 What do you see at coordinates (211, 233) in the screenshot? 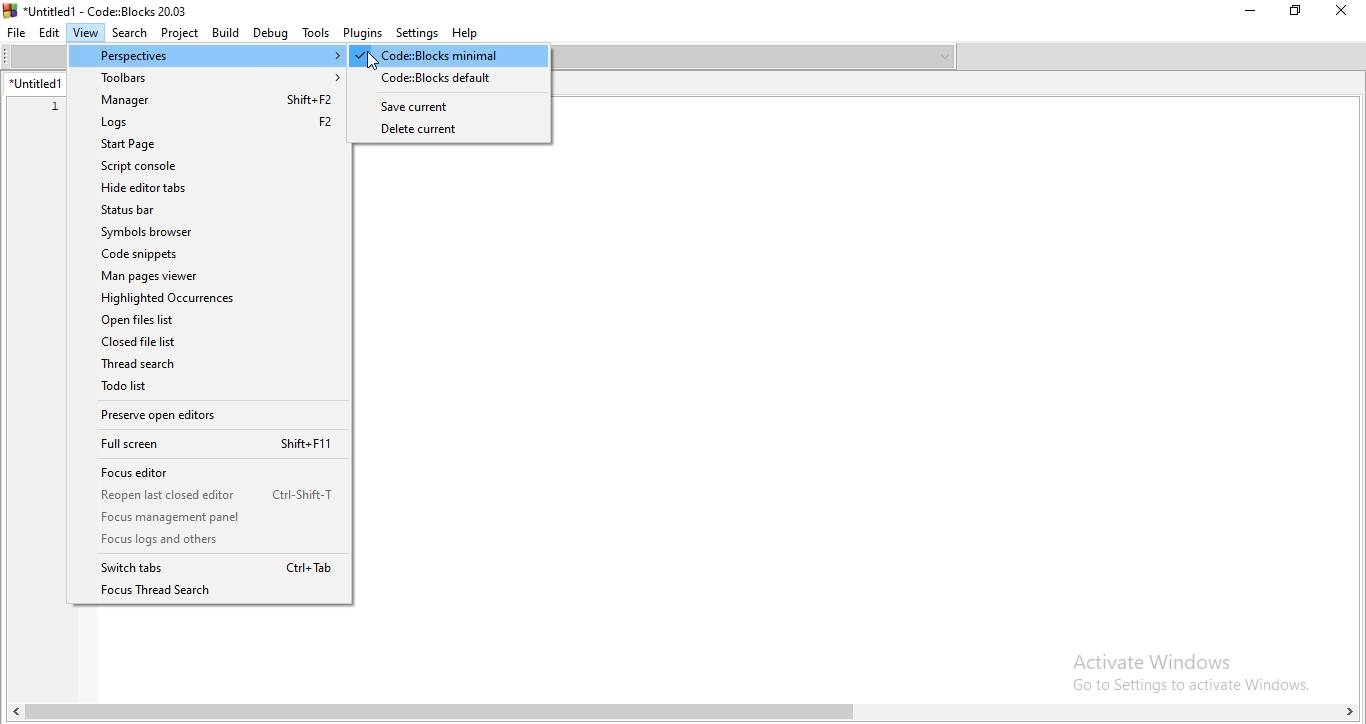
I see `Symbols browser` at bounding box center [211, 233].